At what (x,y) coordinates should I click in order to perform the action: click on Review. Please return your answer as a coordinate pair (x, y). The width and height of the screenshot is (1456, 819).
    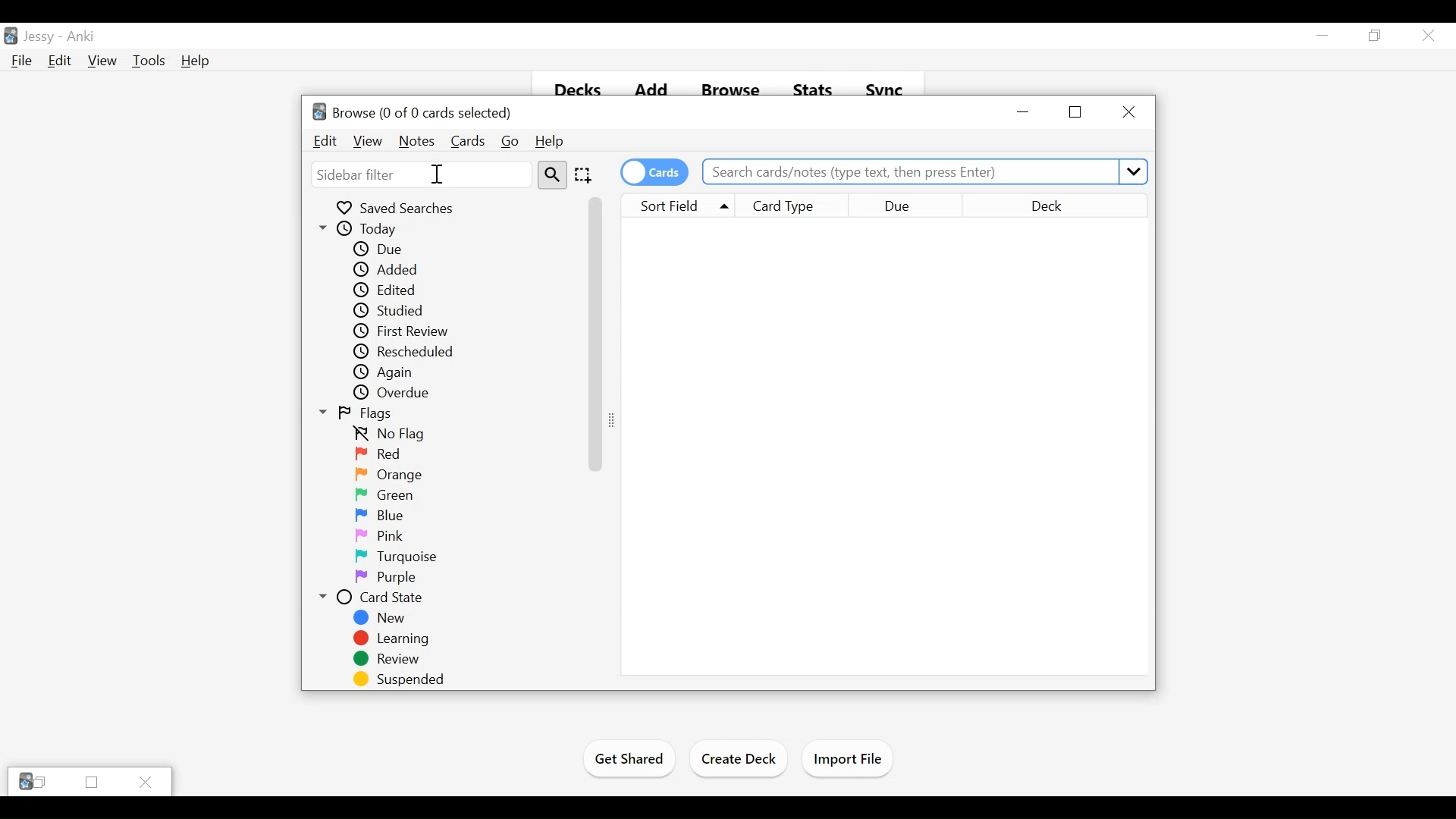
    Looking at the image, I should click on (386, 659).